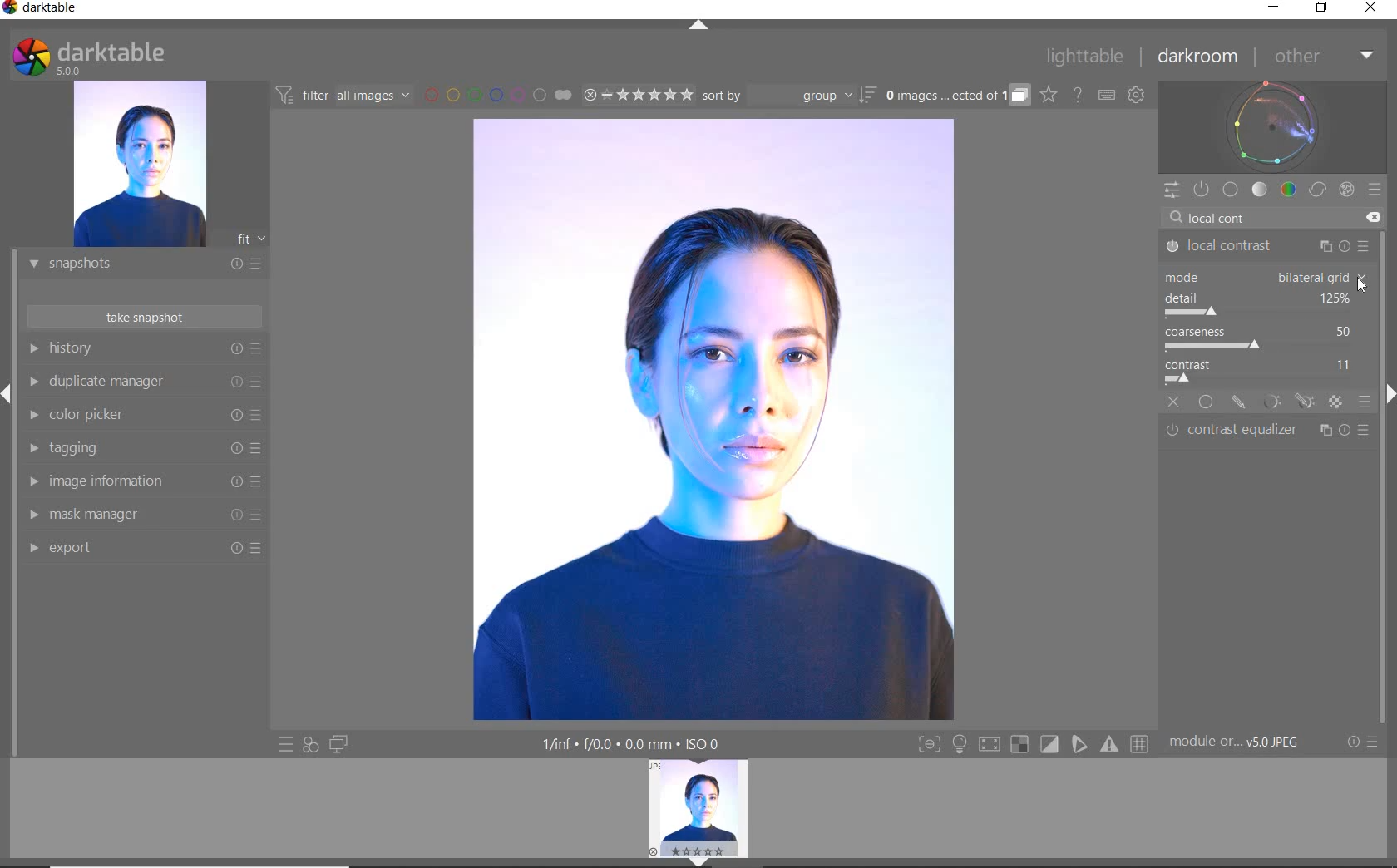  Describe the element at coordinates (1272, 126) in the screenshot. I see `WAVEFORM` at that location.